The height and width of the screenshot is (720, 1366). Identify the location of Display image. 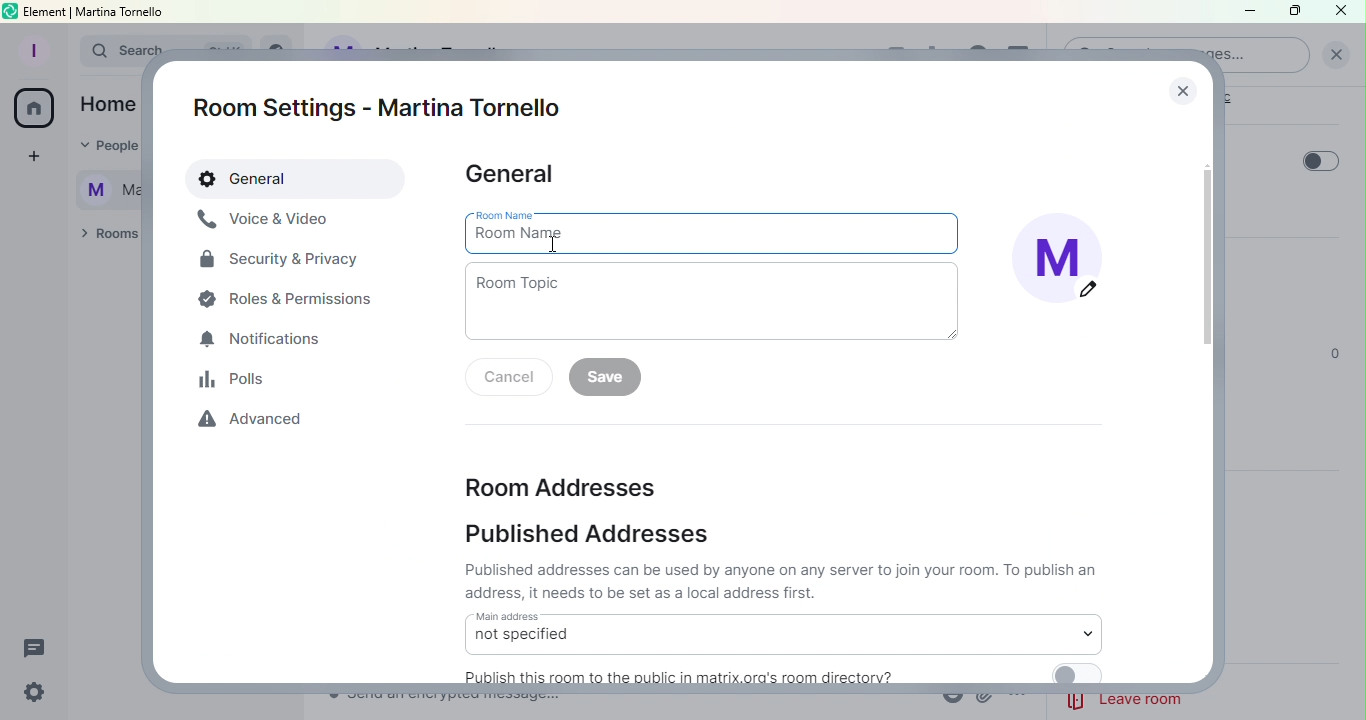
(1067, 264).